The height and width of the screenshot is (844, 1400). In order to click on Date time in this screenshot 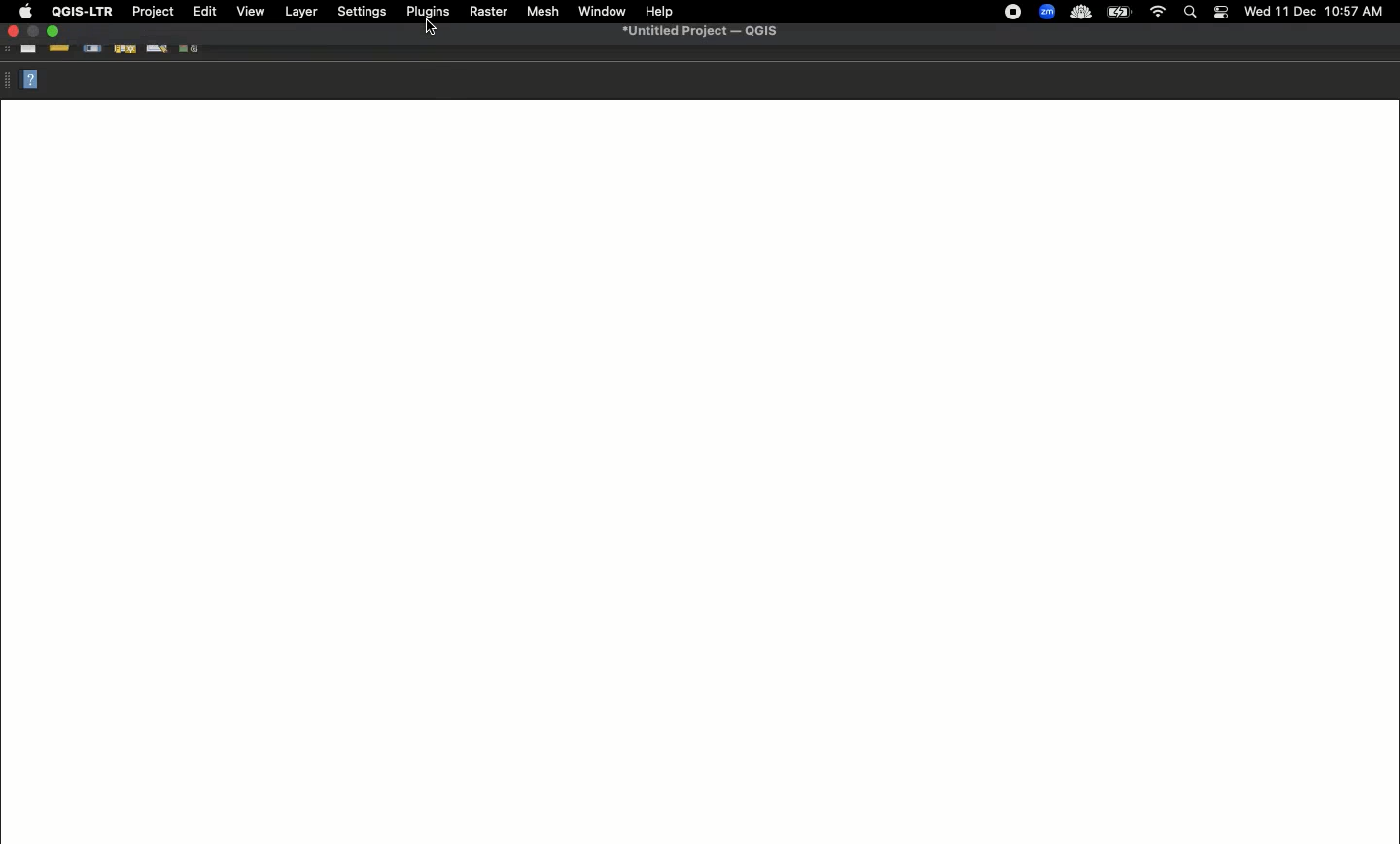, I will do `click(1315, 11)`.